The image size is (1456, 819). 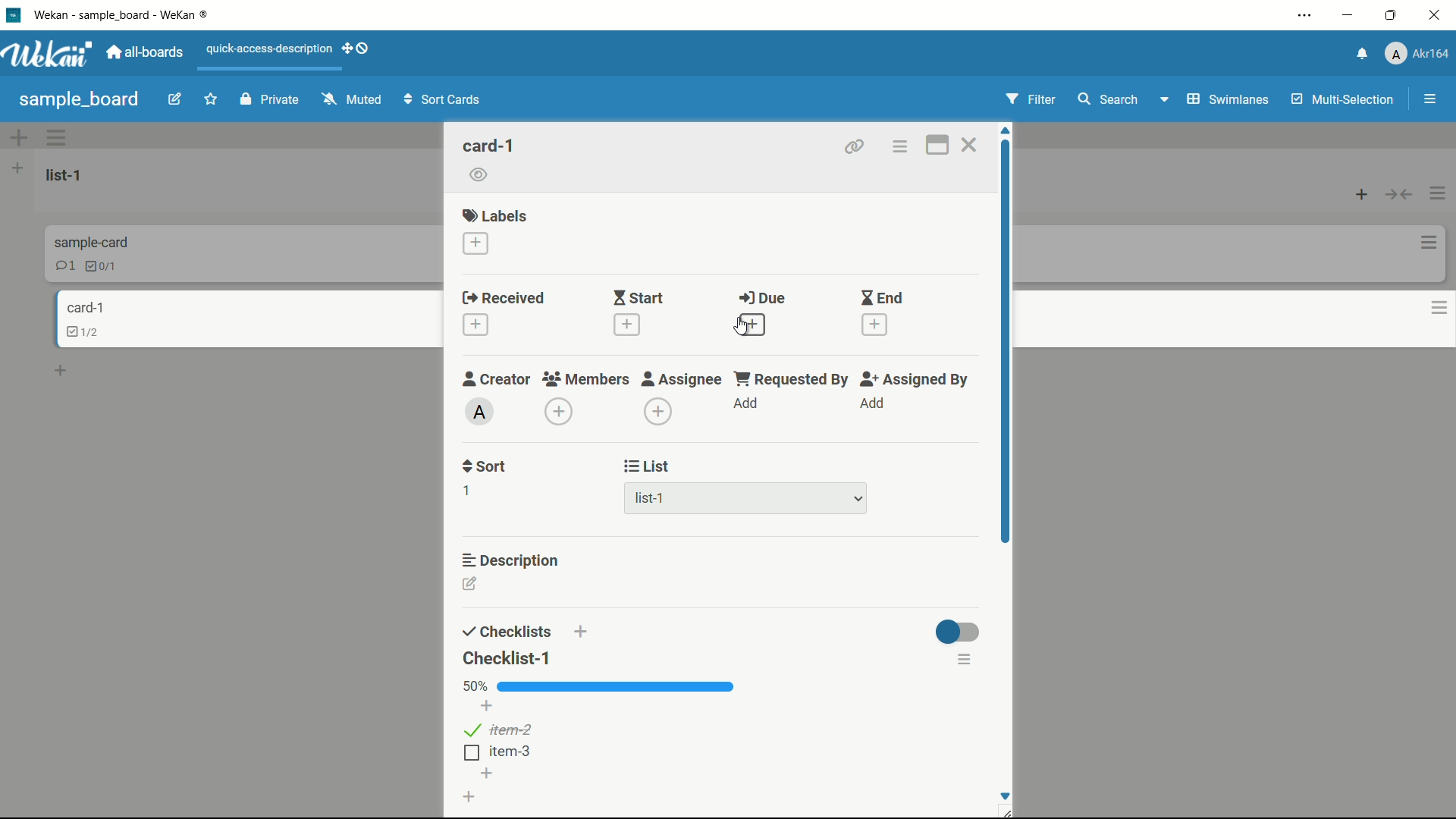 What do you see at coordinates (683, 380) in the screenshot?
I see `assignee` at bounding box center [683, 380].